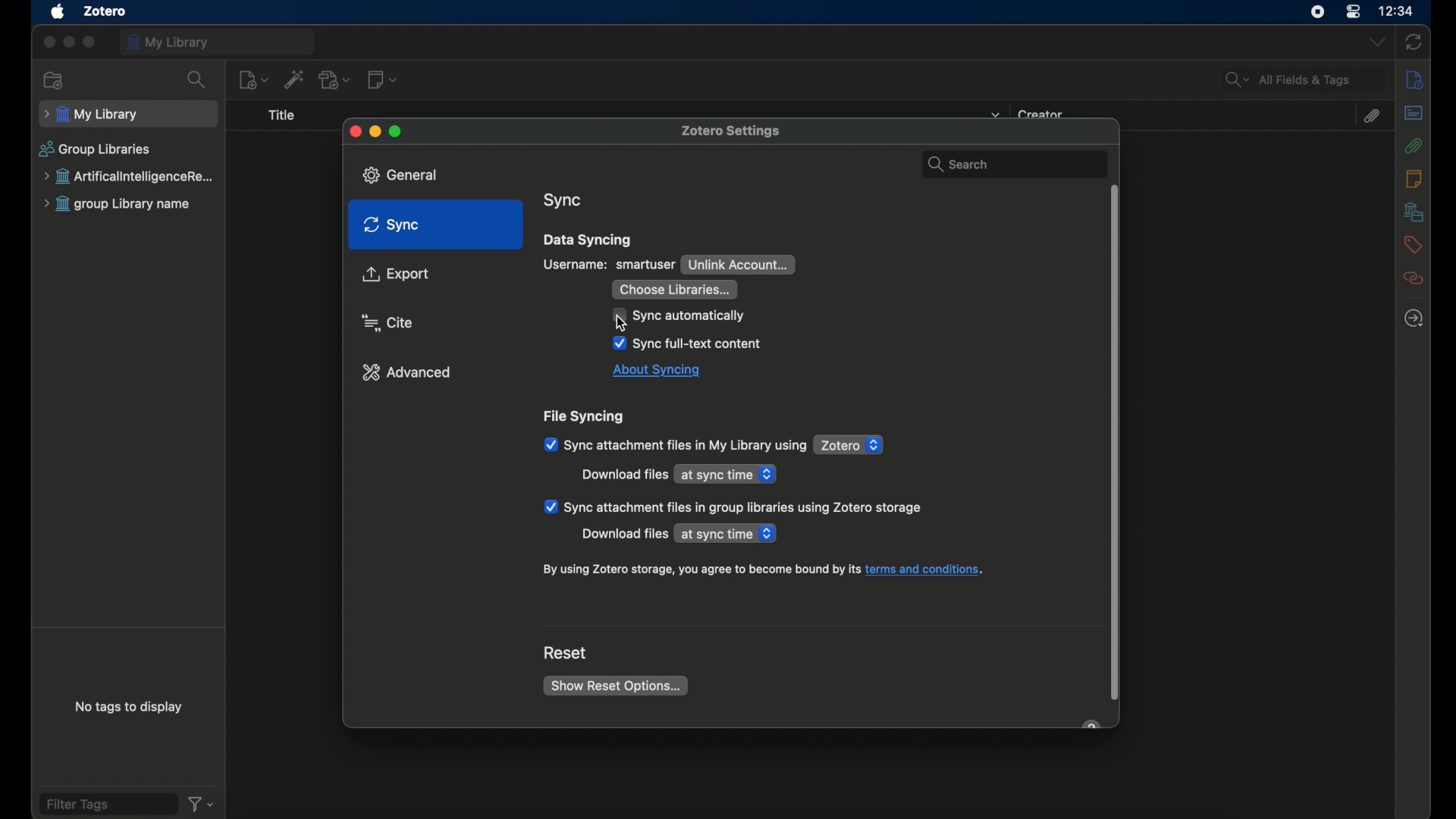 Image resolution: width=1456 pixels, height=819 pixels. Describe the element at coordinates (624, 475) in the screenshot. I see `download files` at that location.